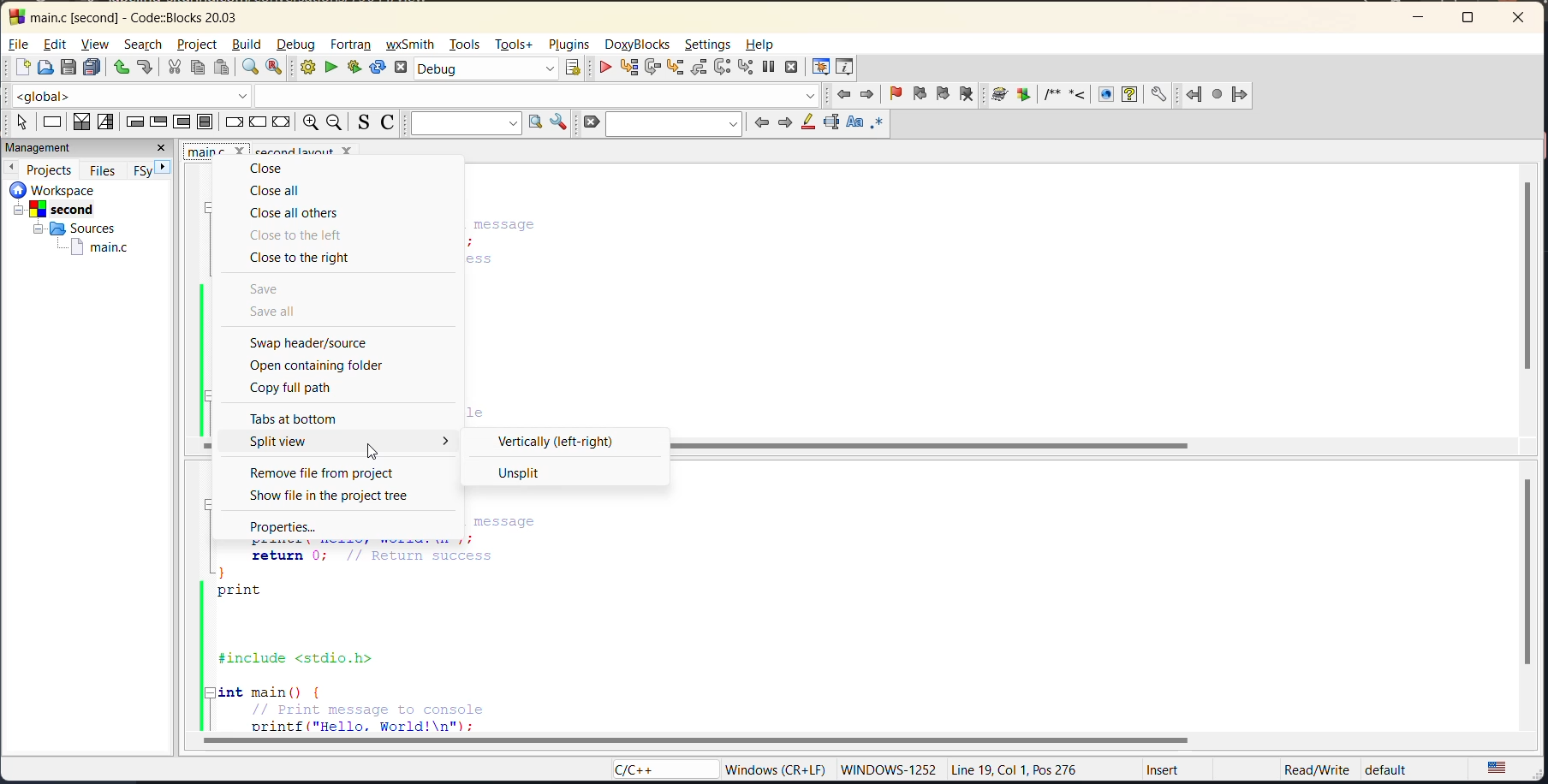 The height and width of the screenshot is (784, 1548). Describe the element at coordinates (867, 95) in the screenshot. I see `jump forward` at that location.